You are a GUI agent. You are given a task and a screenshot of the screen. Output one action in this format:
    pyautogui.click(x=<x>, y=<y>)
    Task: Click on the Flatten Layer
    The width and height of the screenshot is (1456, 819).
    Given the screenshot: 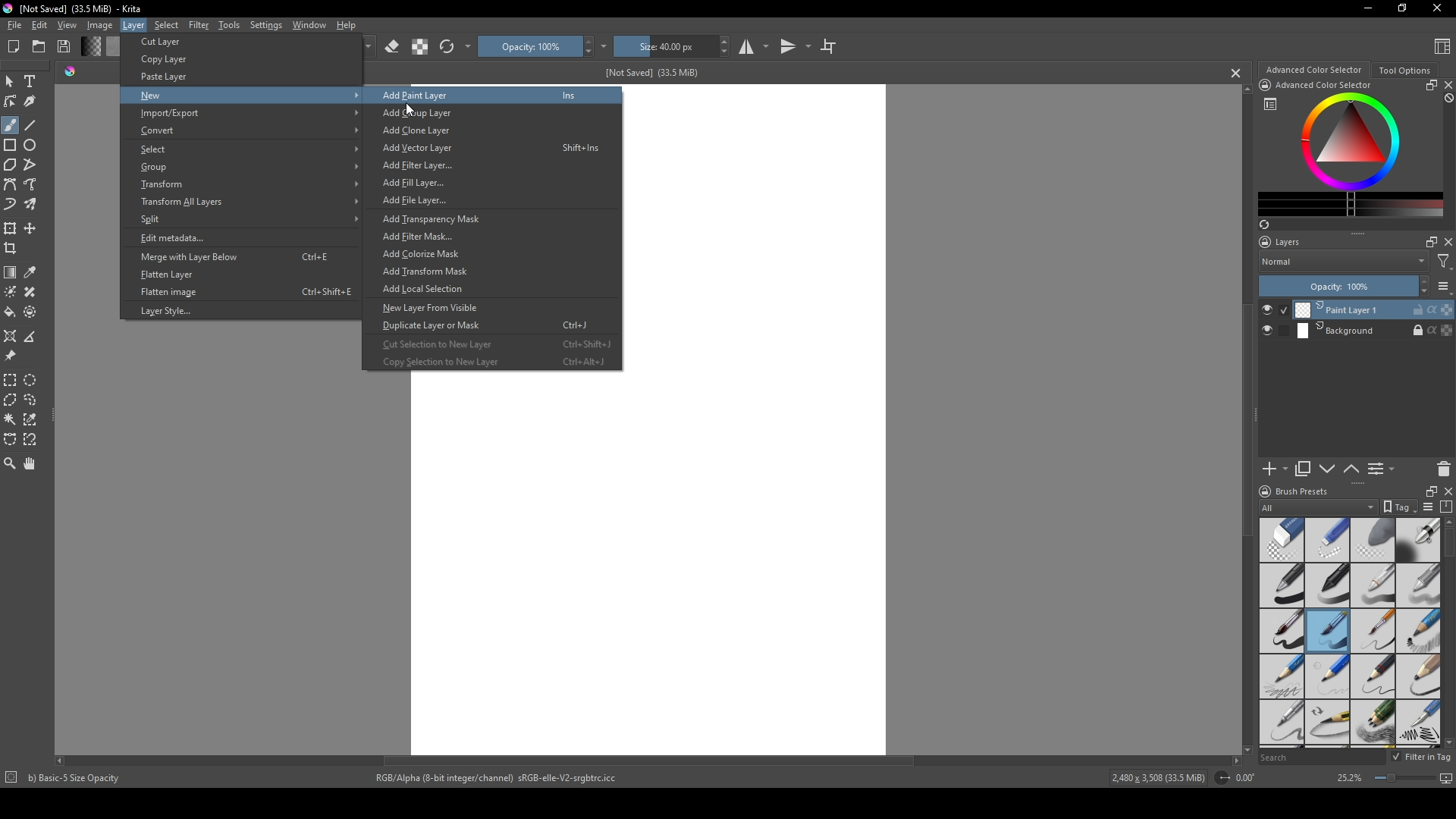 What is the action you would take?
    pyautogui.click(x=171, y=275)
    